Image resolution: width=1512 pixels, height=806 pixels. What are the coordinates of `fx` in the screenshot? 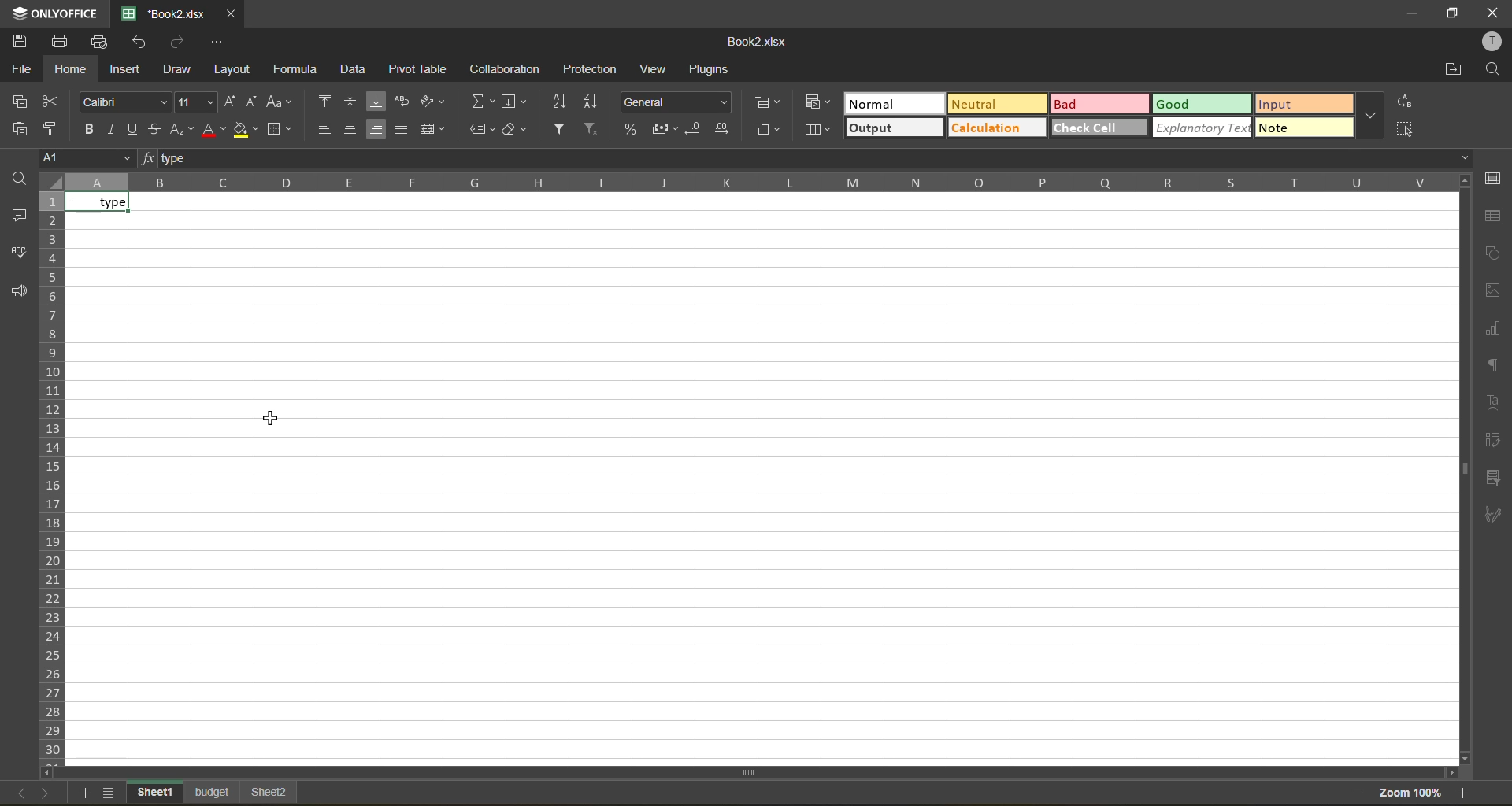 It's located at (150, 159).